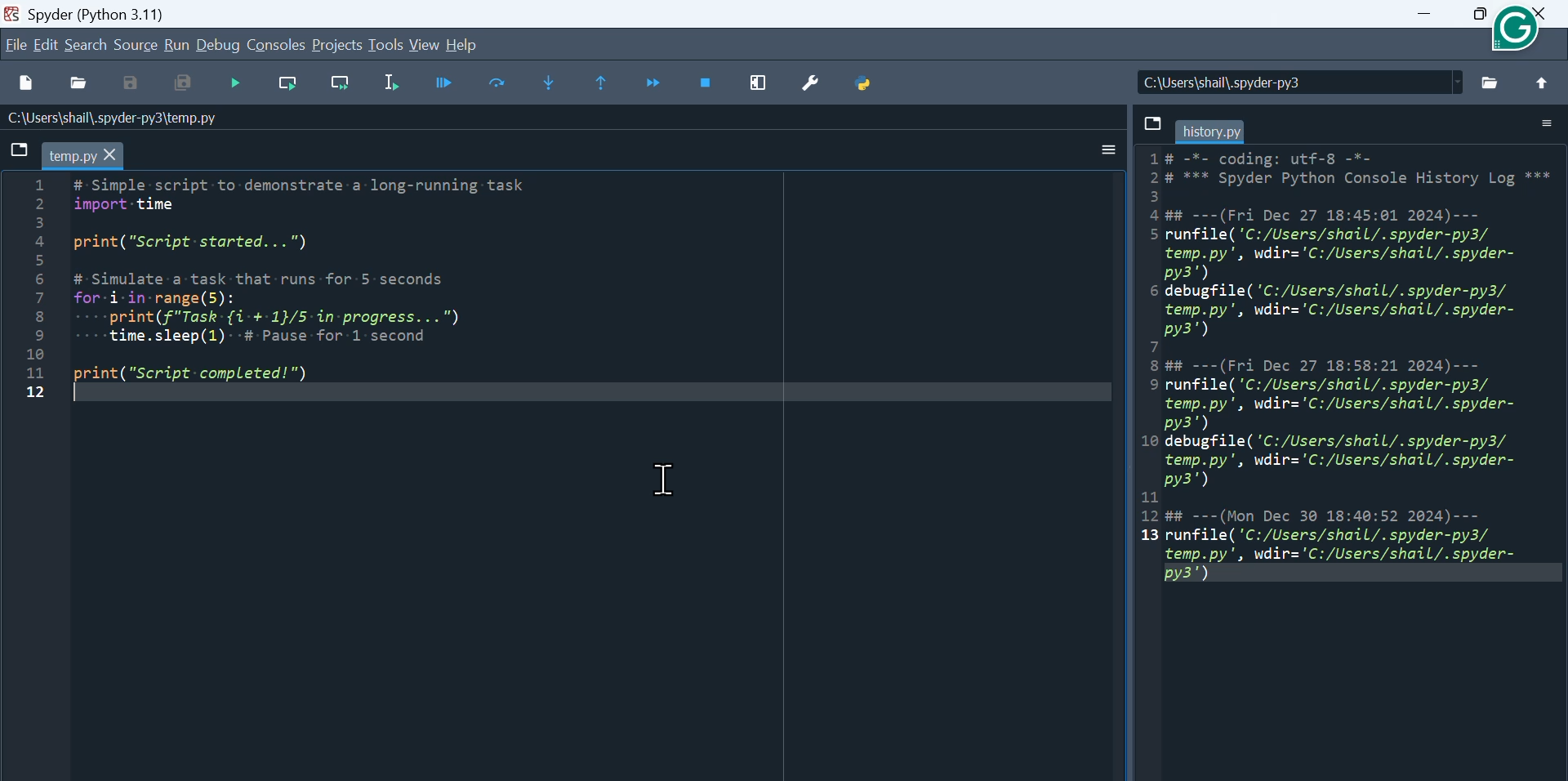 Image resolution: width=1568 pixels, height=781 pixels. Describe the element at coordinates (655, 81) in the screenshot. I see `Continue execution until next function` at that location.